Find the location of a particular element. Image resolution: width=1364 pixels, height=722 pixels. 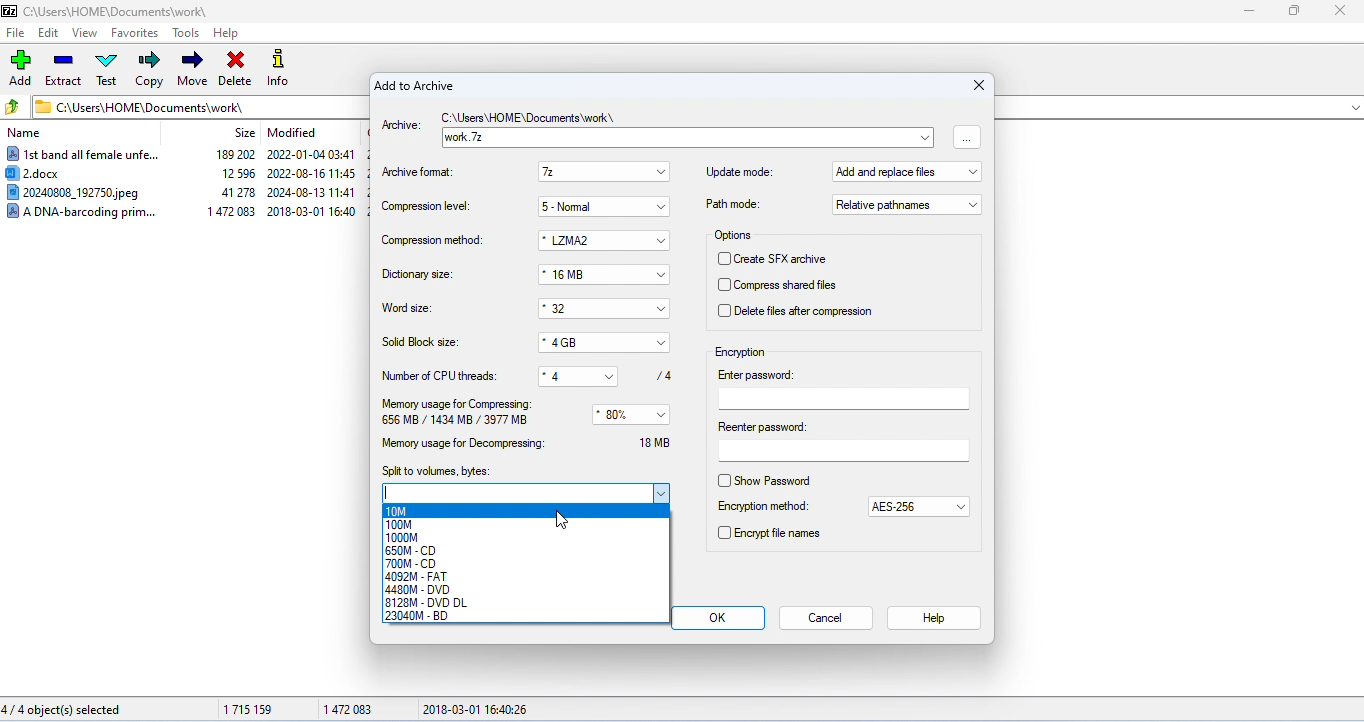

test is located at coordinates (107, 68).